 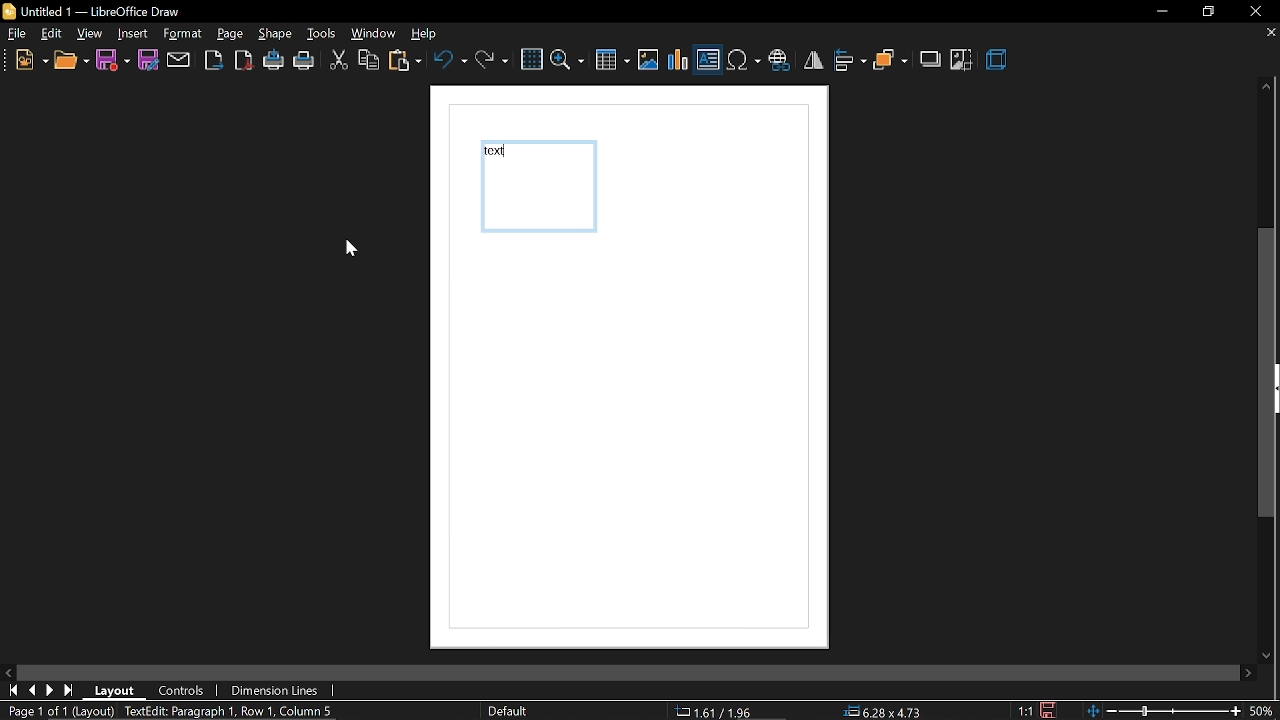 What do you see at coordinates (450, 59) in the screenshot?
I see `undo` at bounding box center [450, 59].